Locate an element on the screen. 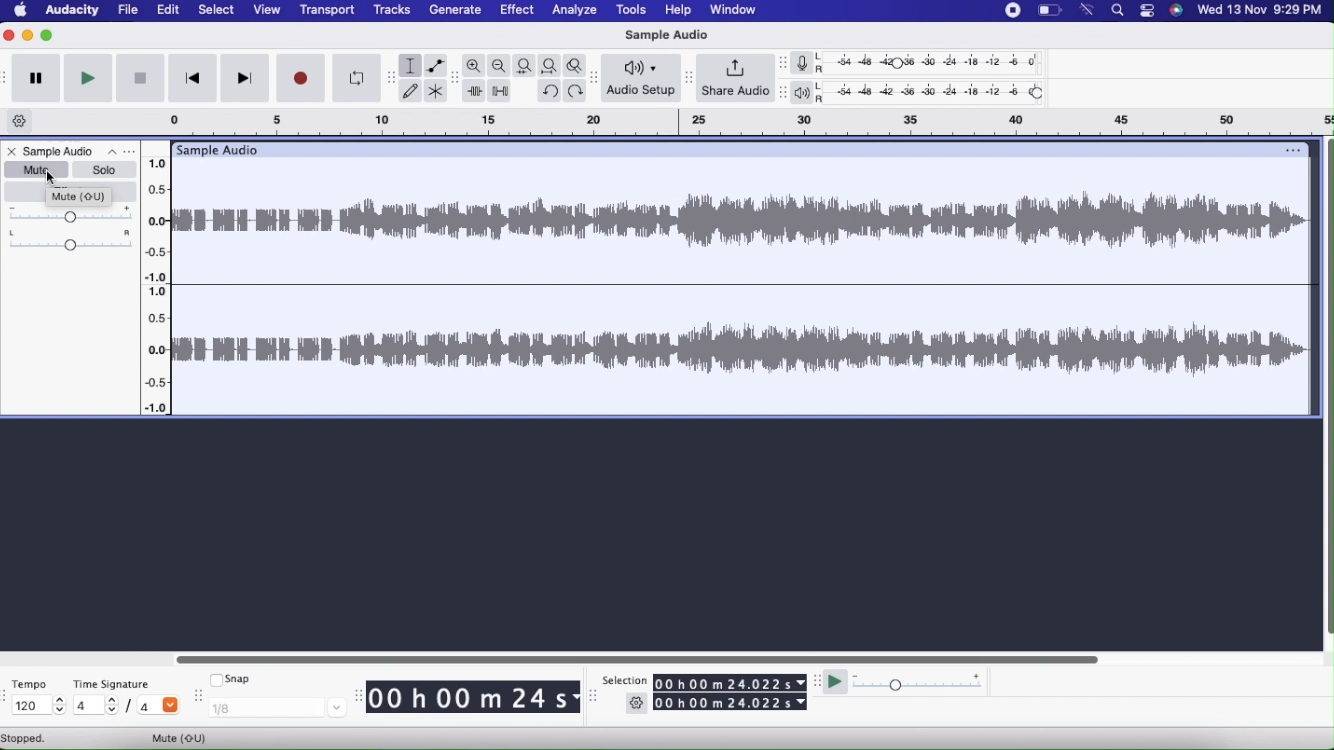 This screenshot has width=1334, height=750. Pause is located at coordinates (34, 80).